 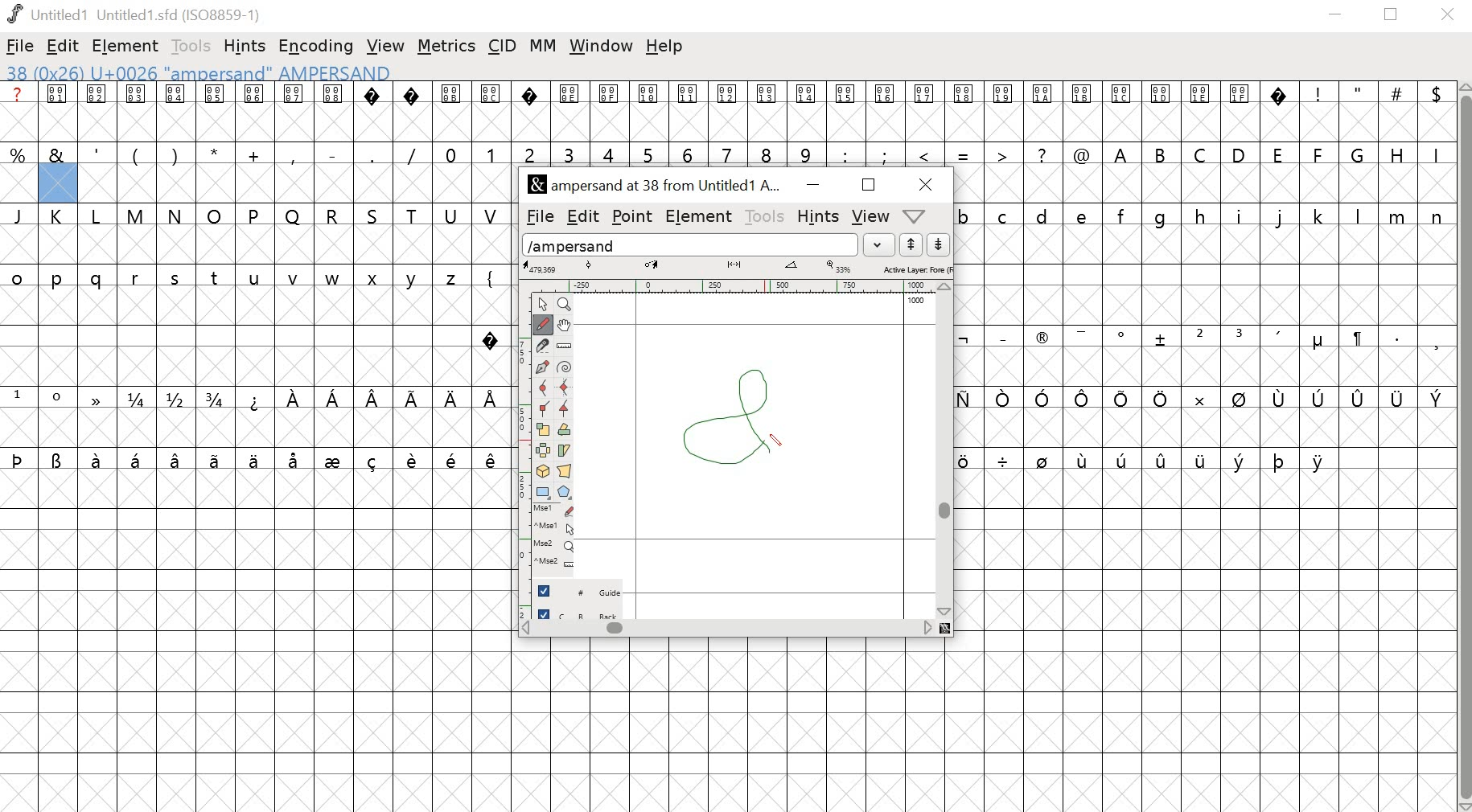 What do you see at coordinates (294, 399) in the screenshot?
I see `symbol` at bounding box center [294, 399].